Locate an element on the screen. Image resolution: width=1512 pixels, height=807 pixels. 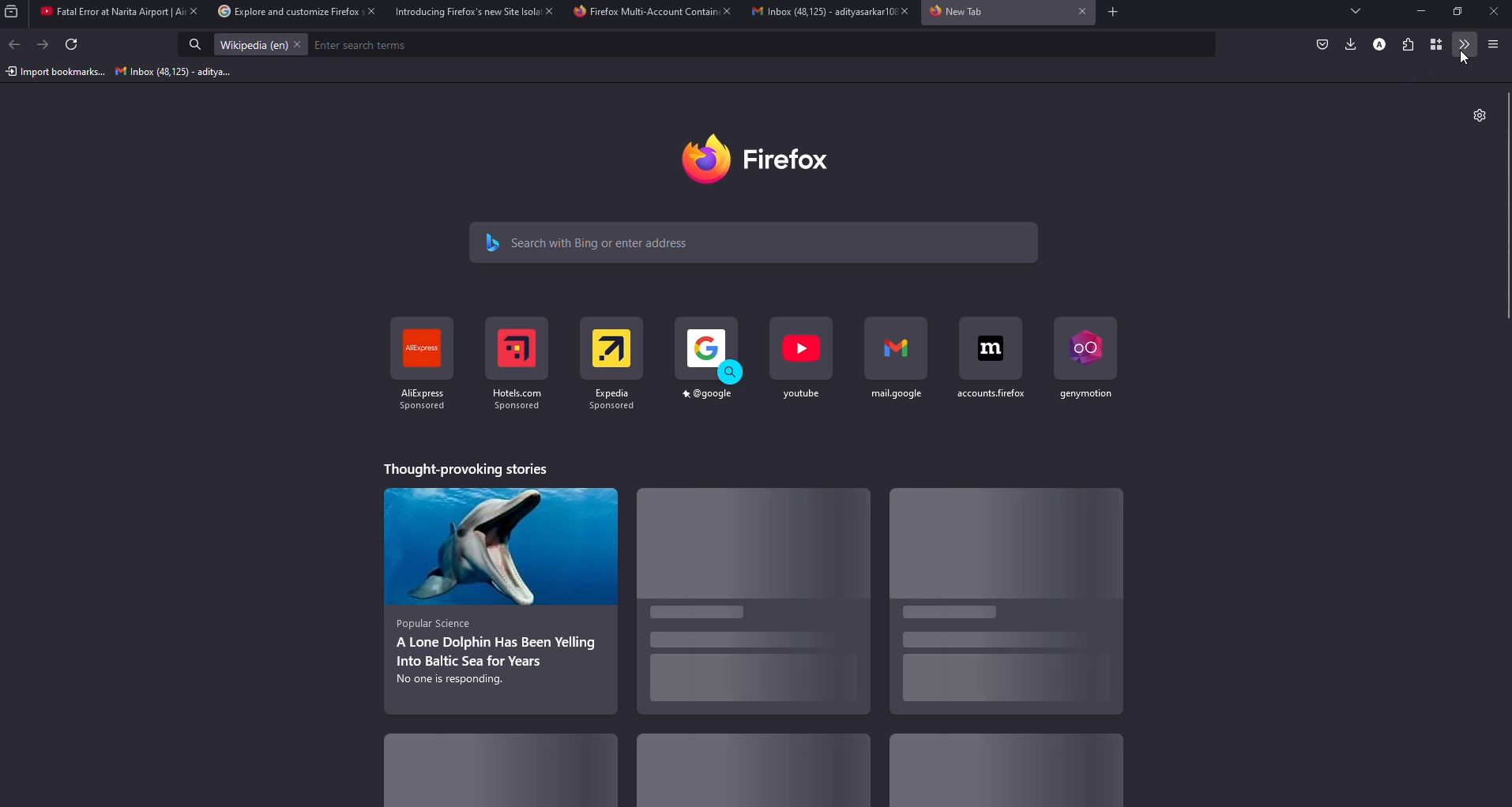
close is located at coordinates (1492, 12).